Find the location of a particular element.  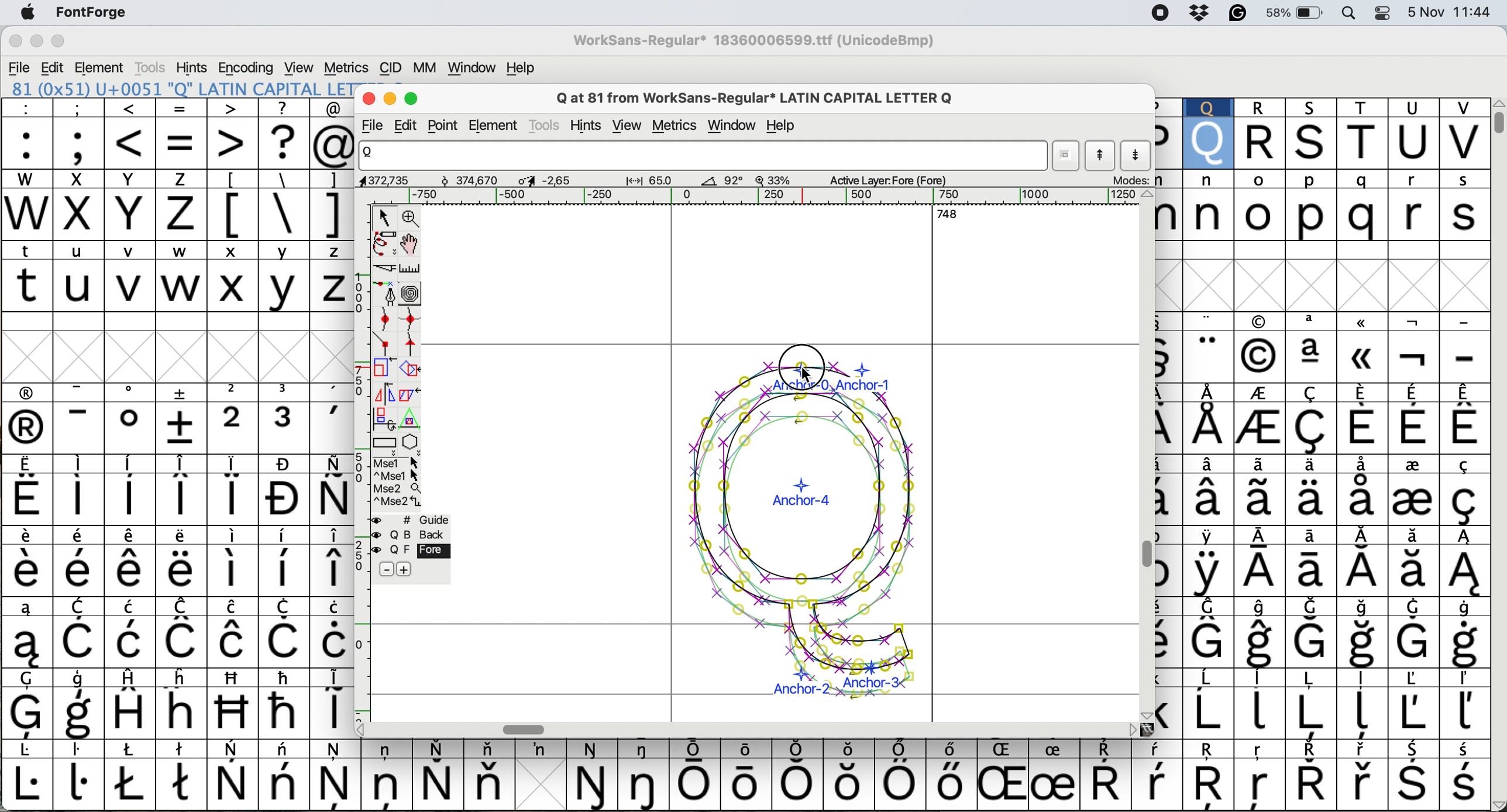

special characters is located at coordinates (177, 558).